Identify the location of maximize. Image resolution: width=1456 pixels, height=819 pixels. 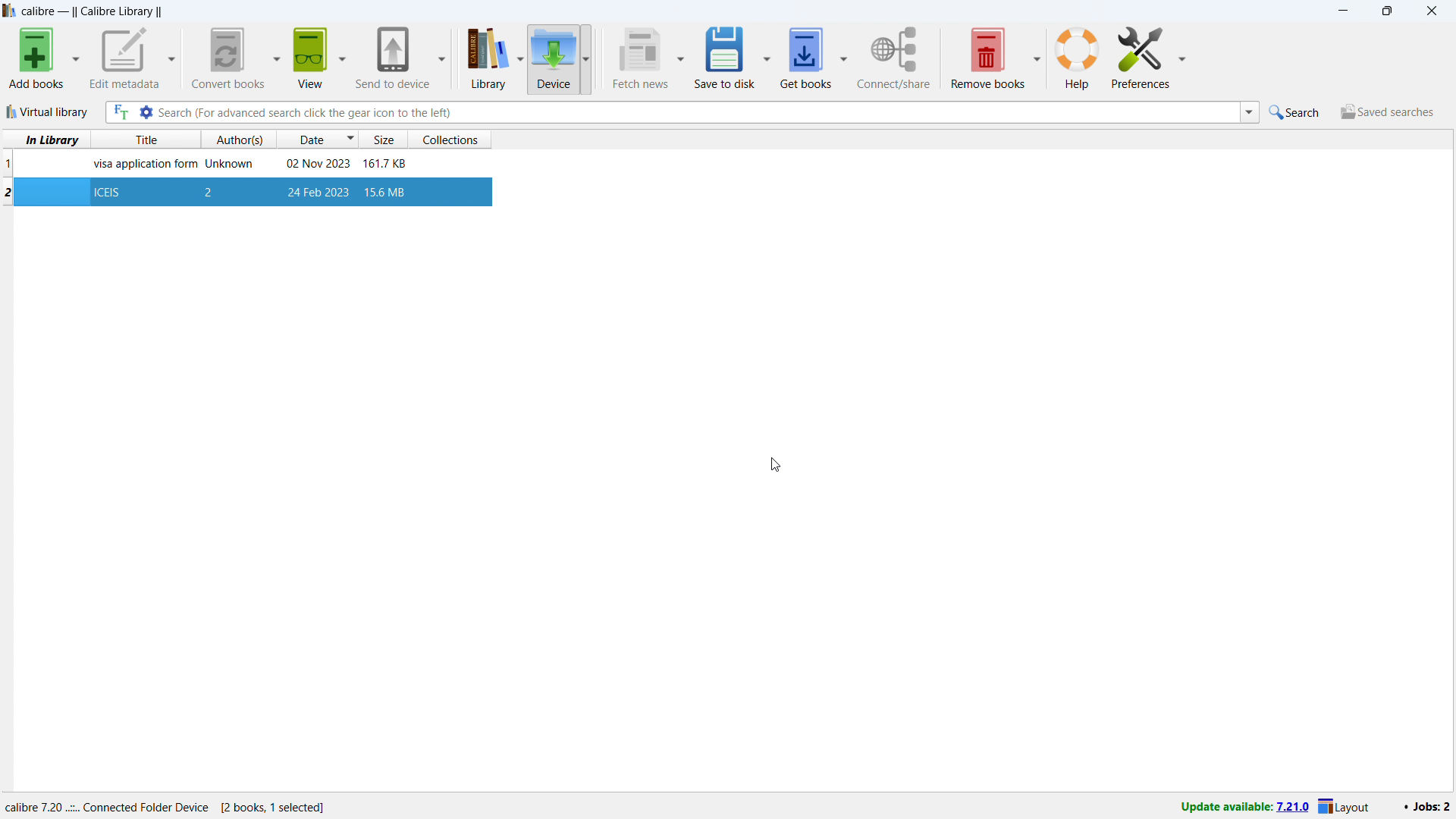
(1385, 11).